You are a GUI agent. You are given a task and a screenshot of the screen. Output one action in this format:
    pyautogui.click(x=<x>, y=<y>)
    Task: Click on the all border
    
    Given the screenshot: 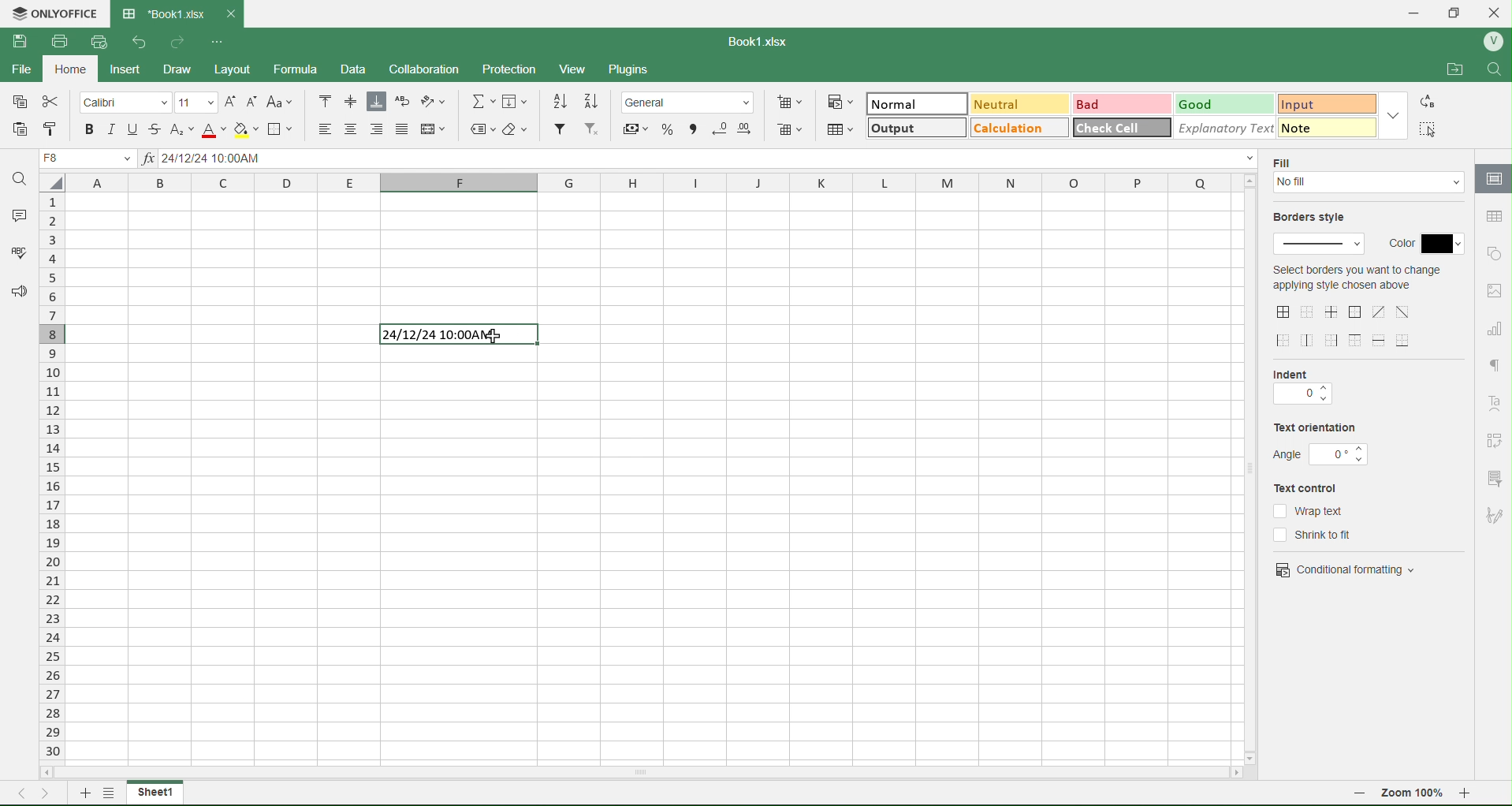 What is the action you would take?
    pyautogui.click(x=1284, y=312)
    